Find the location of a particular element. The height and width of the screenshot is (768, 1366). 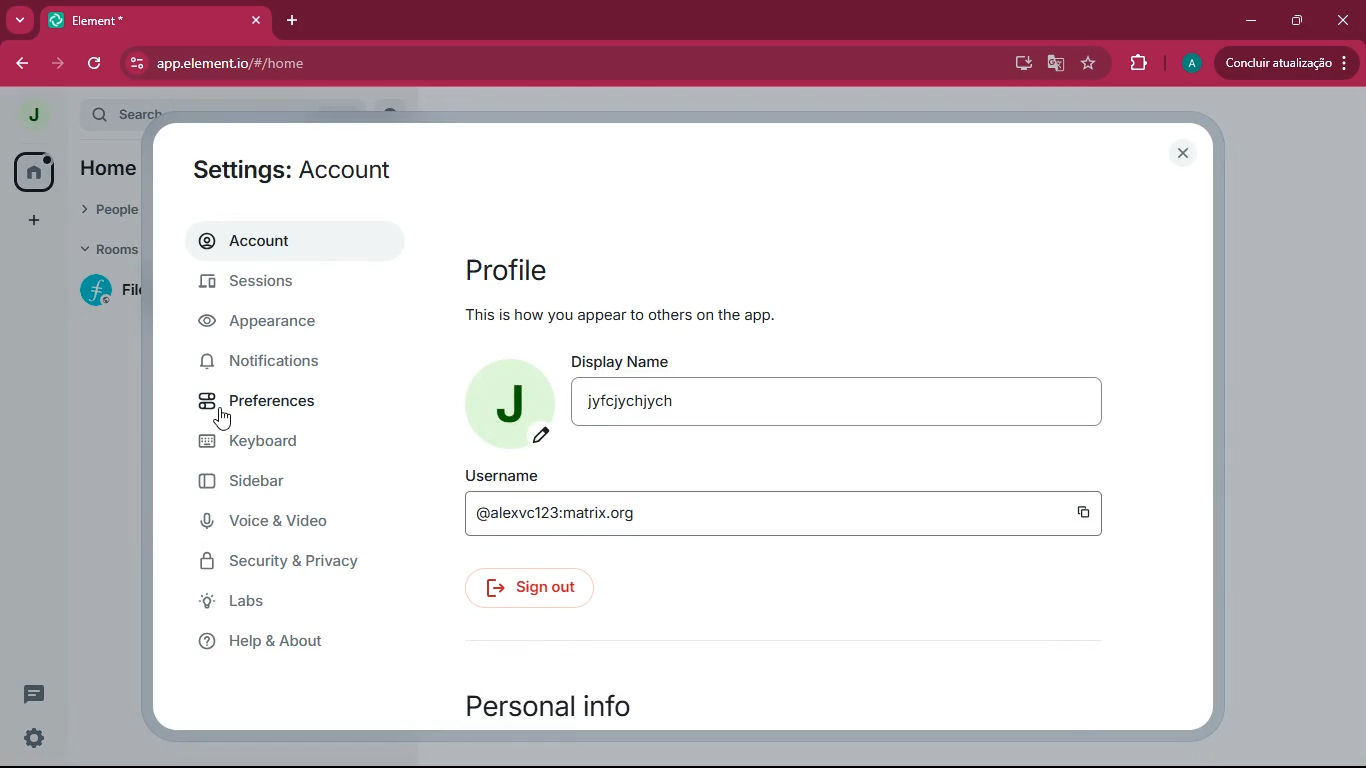

appearance is located at coordinates (280, 325).